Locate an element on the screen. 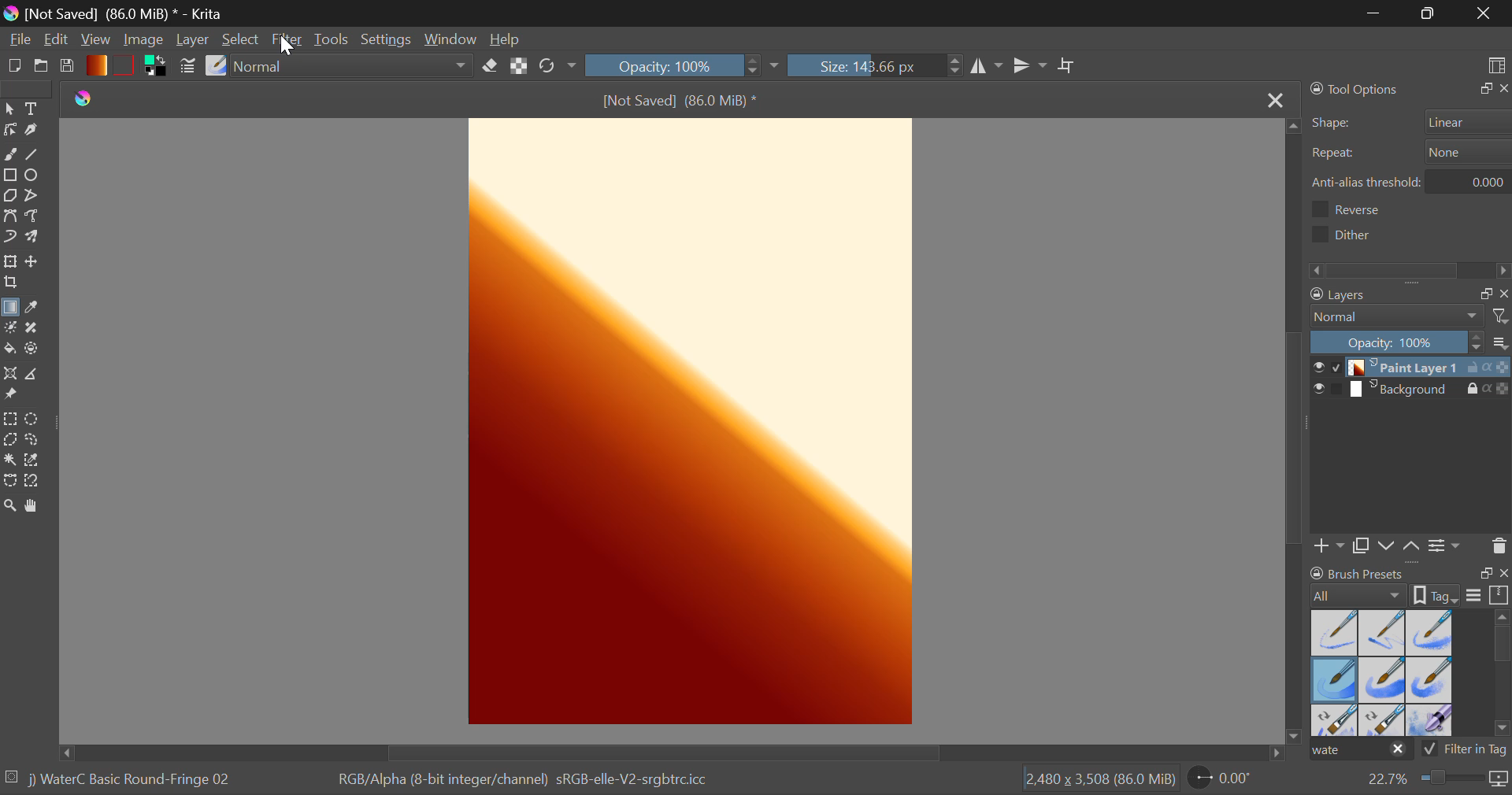 The height and width of the screenshot is (795, 1512). Settings is located at coordinates (387, 39).